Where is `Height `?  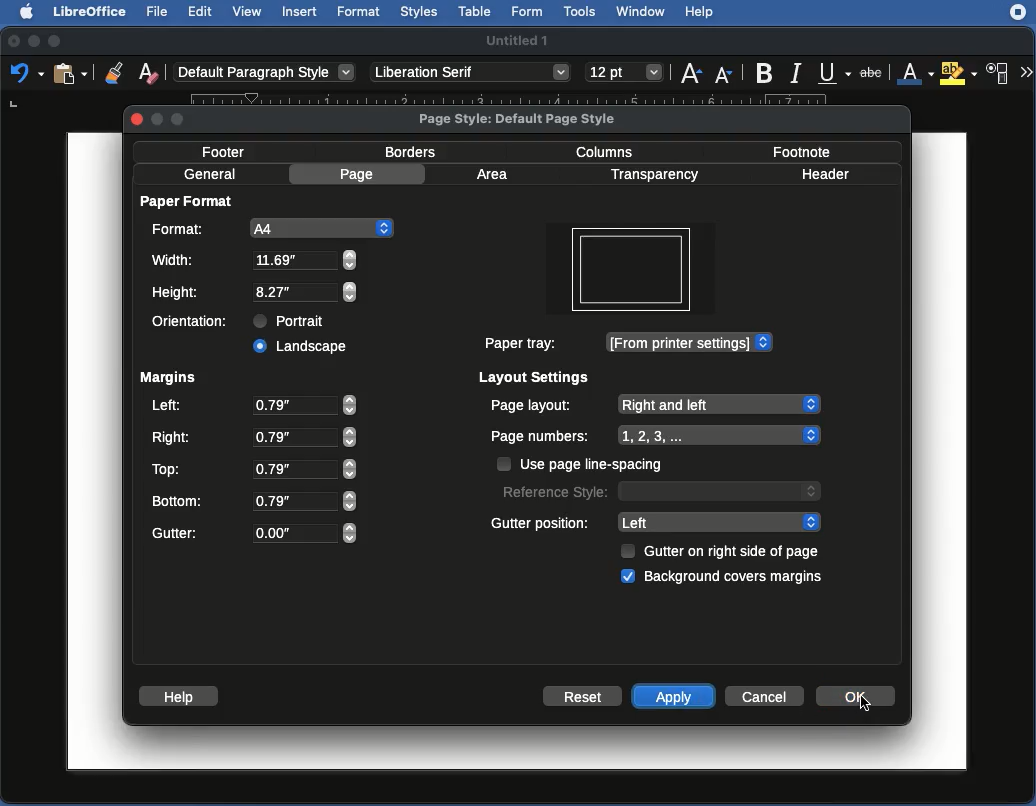 Height  is located at coordinates (180, 292).